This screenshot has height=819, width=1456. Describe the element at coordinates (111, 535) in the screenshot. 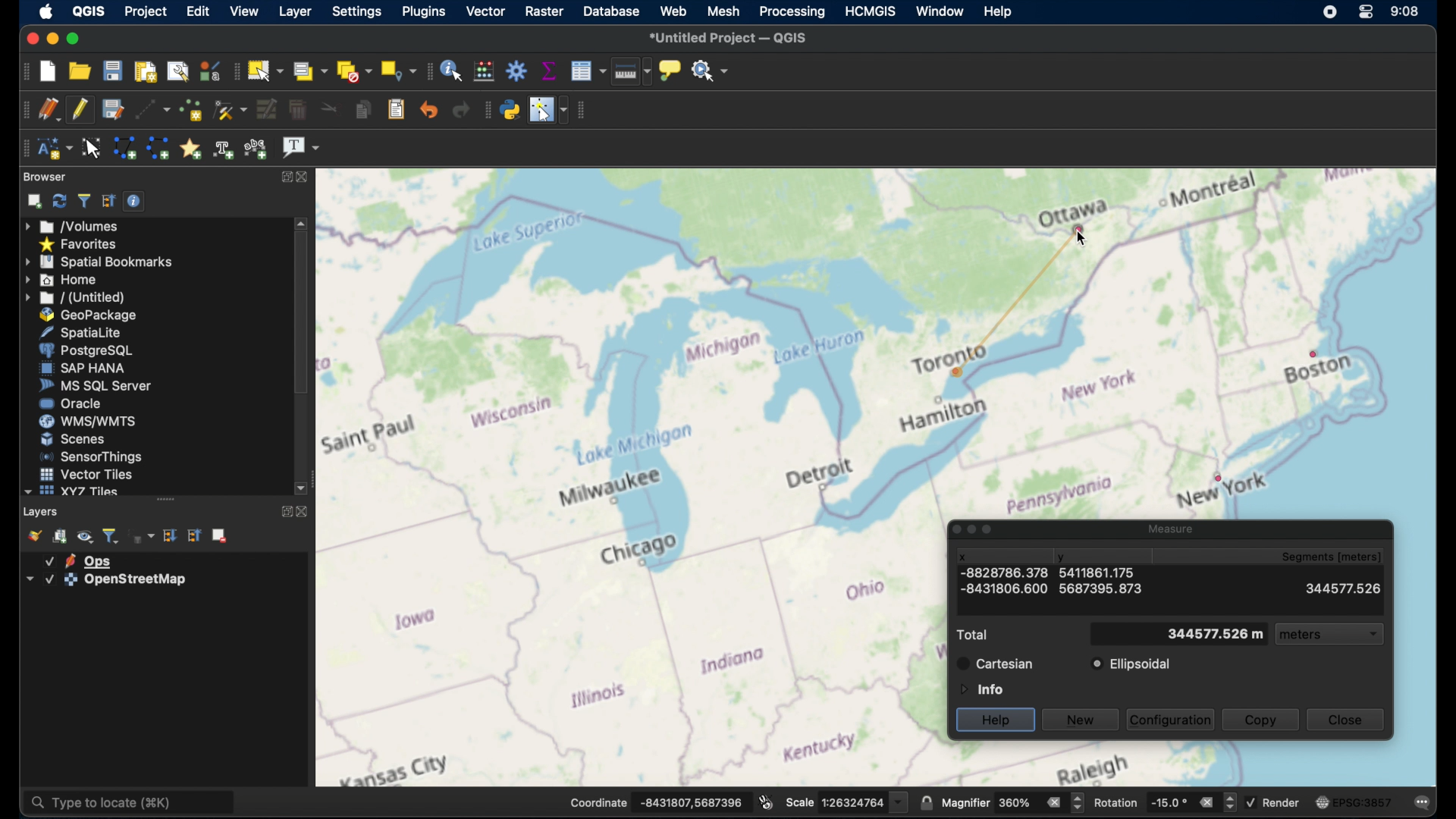

I see `filter legend` at that location.